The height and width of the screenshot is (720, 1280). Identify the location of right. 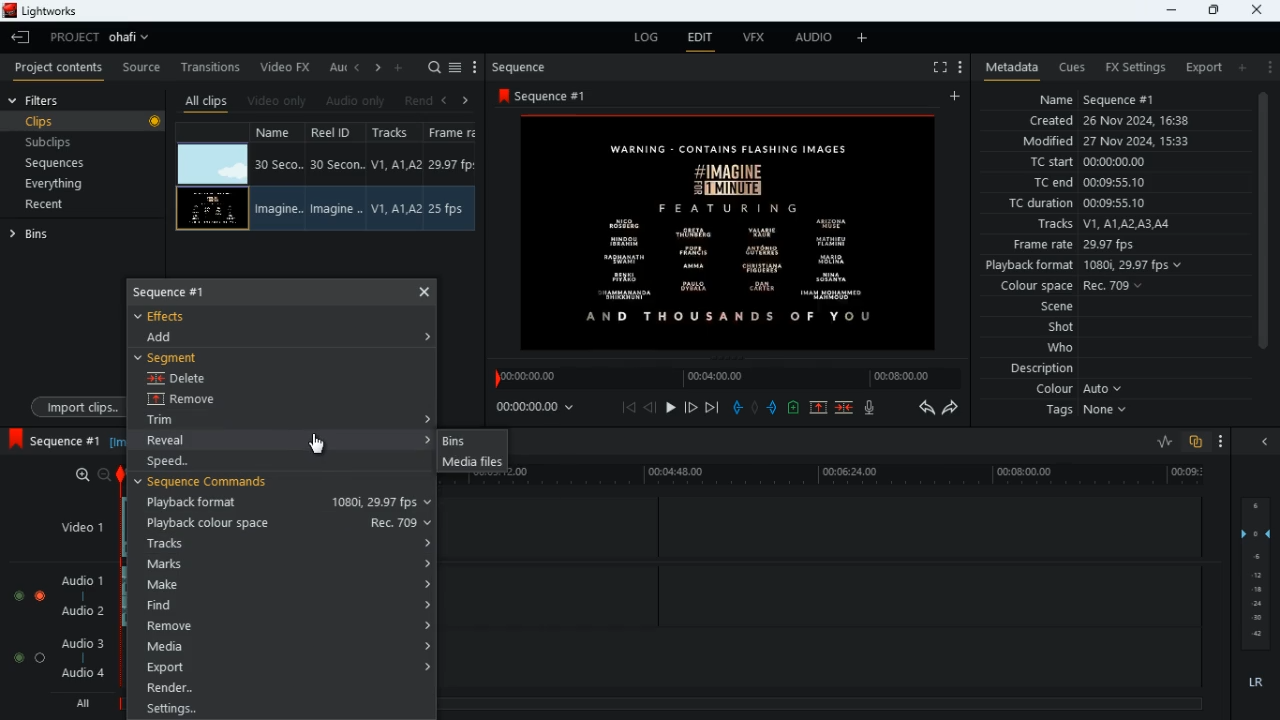
(379, 69).